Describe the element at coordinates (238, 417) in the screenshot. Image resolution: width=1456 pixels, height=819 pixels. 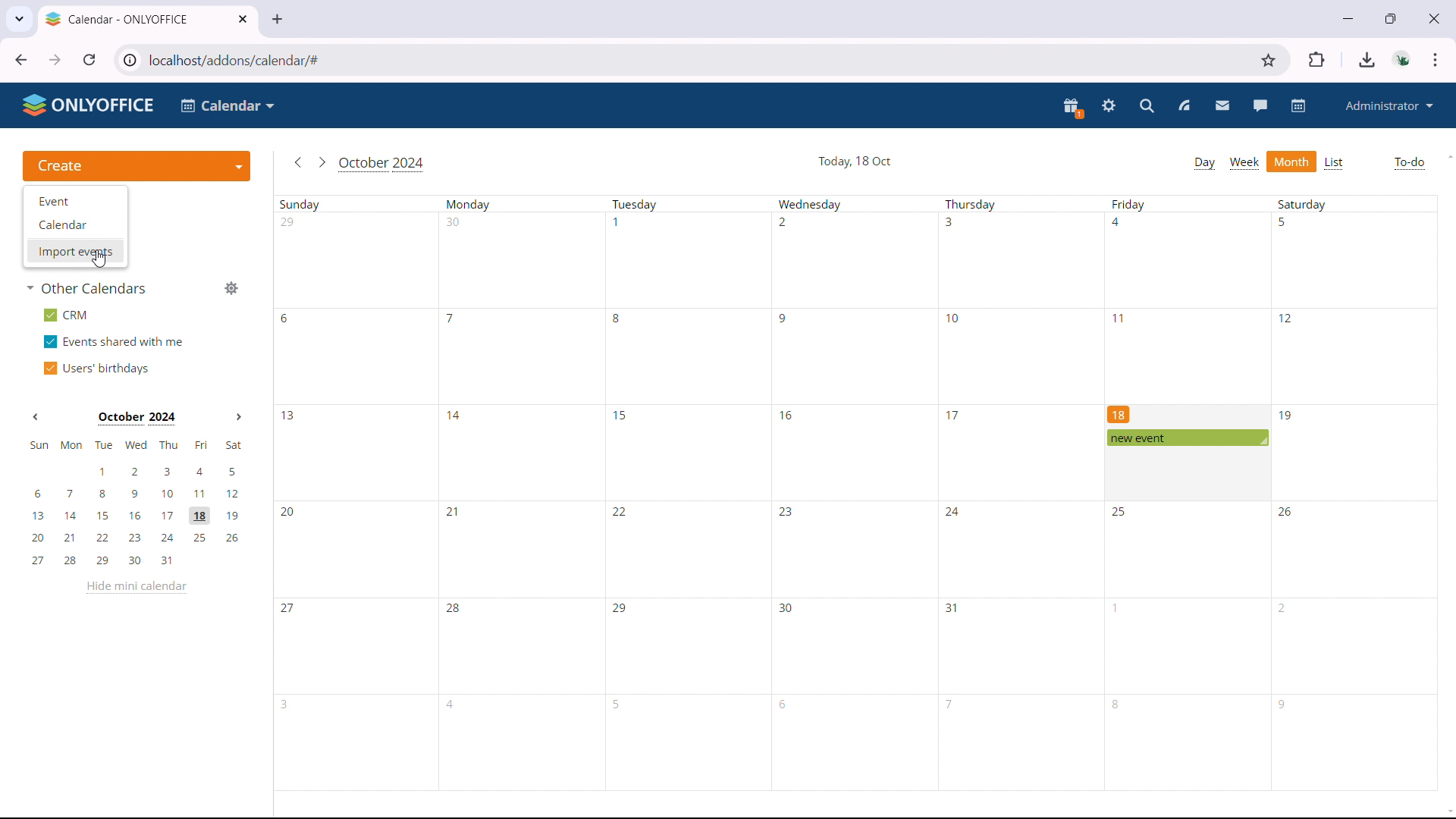
I see `Next month` at that location.